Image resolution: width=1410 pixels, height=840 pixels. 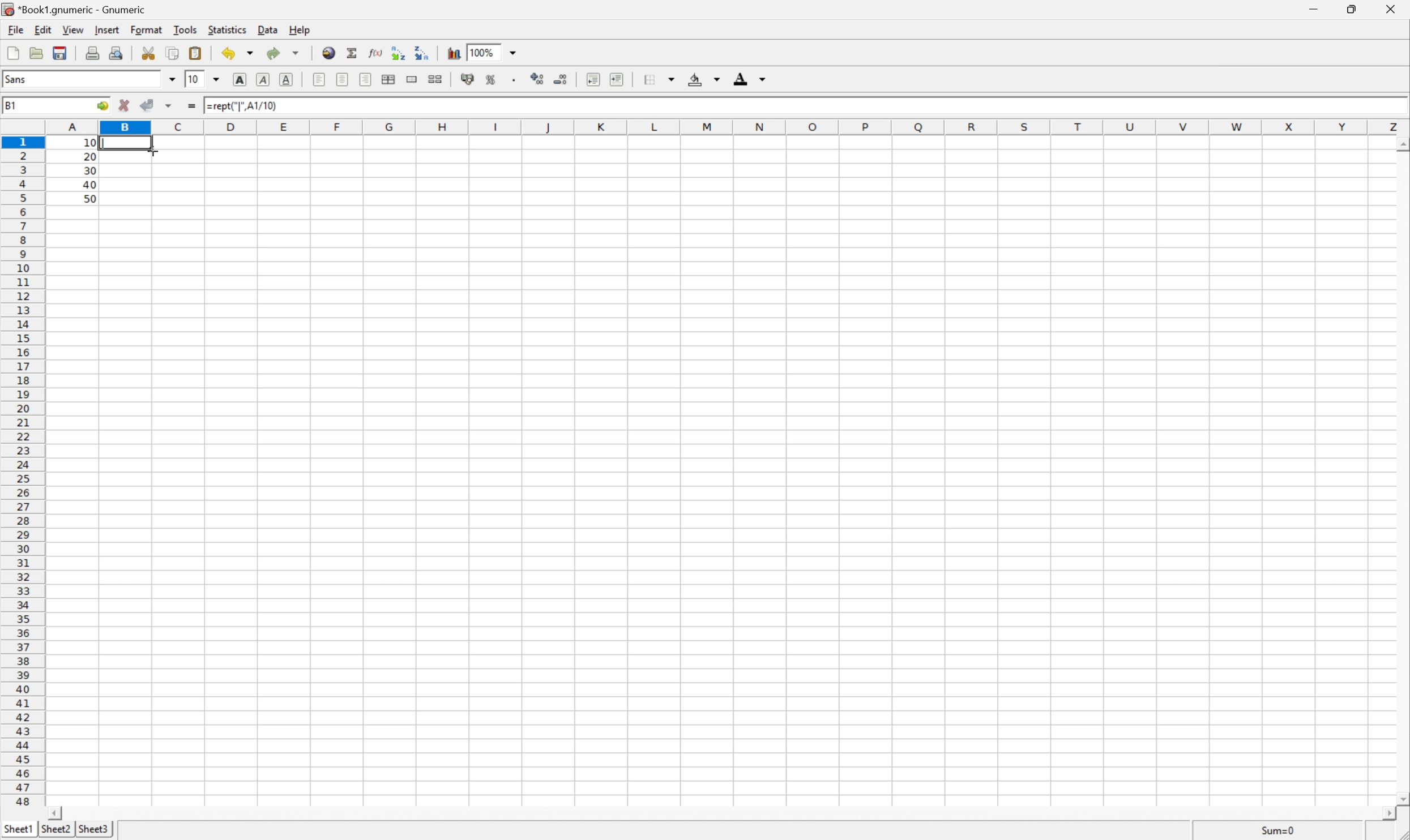 I want to click on Undo, so click(x=237, y=52).